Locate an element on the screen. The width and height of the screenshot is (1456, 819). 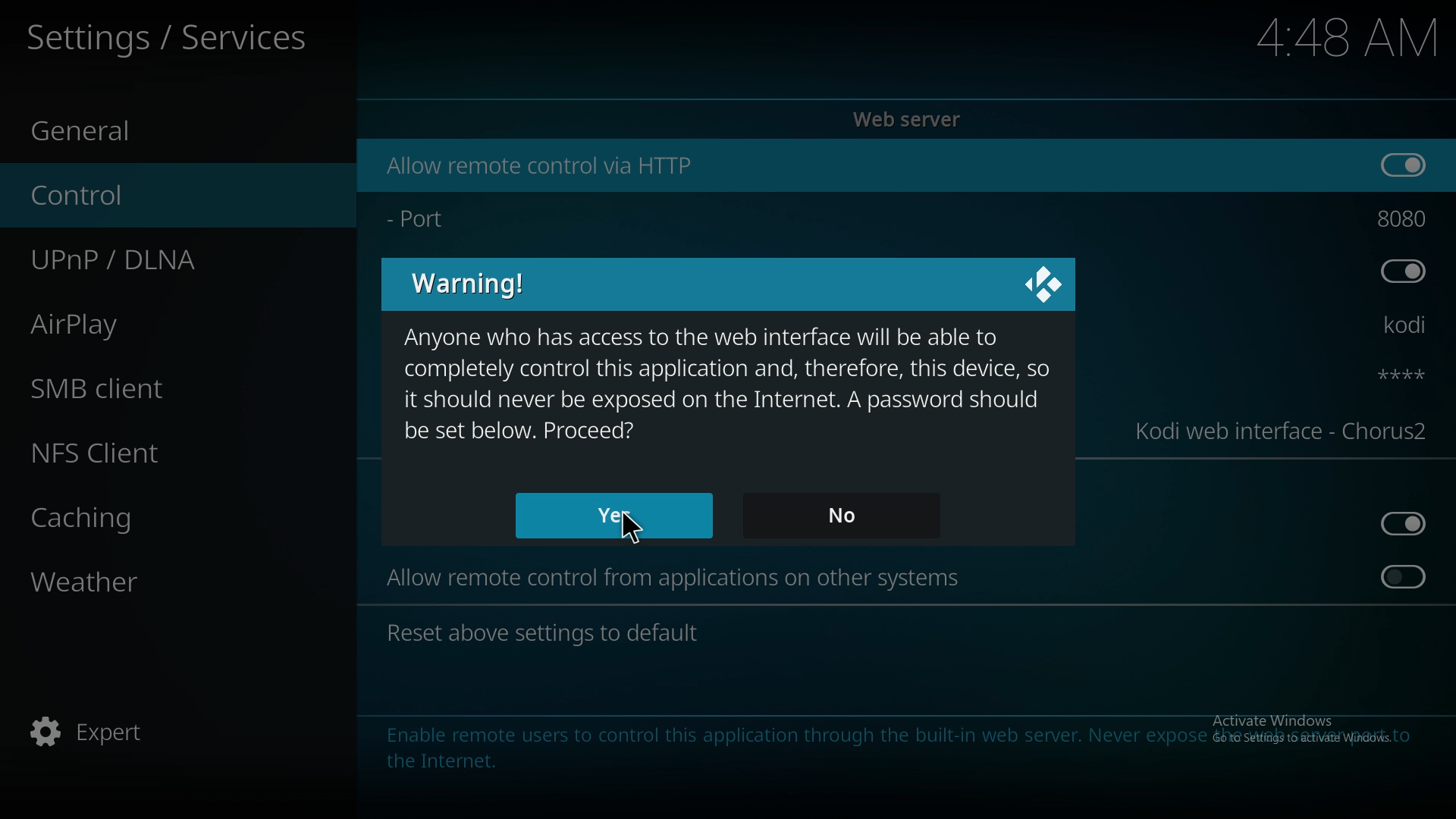
nfs client is located at coordinates (121, 448).